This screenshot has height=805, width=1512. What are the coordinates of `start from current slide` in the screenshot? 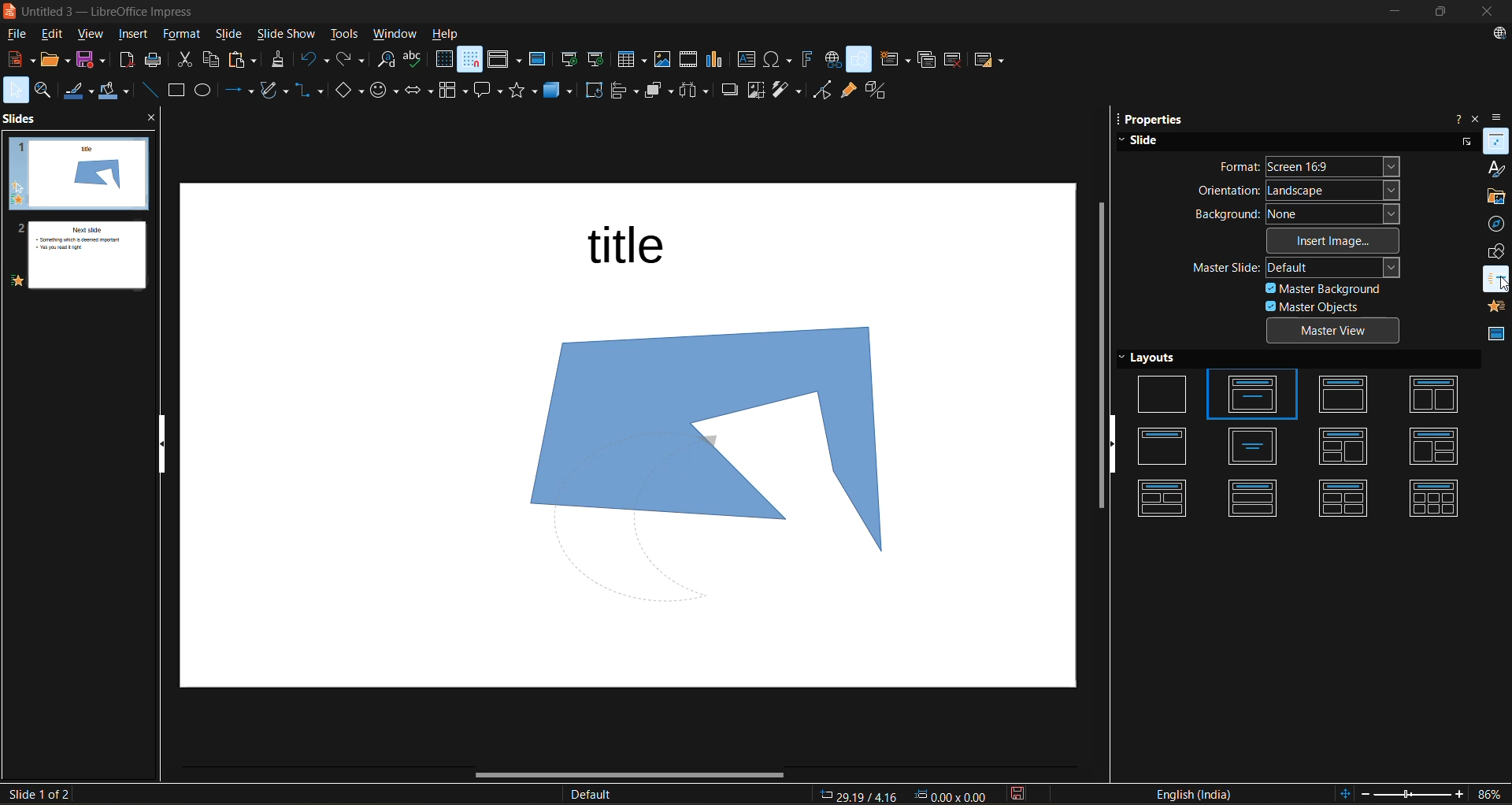 It's located at (598, 59).